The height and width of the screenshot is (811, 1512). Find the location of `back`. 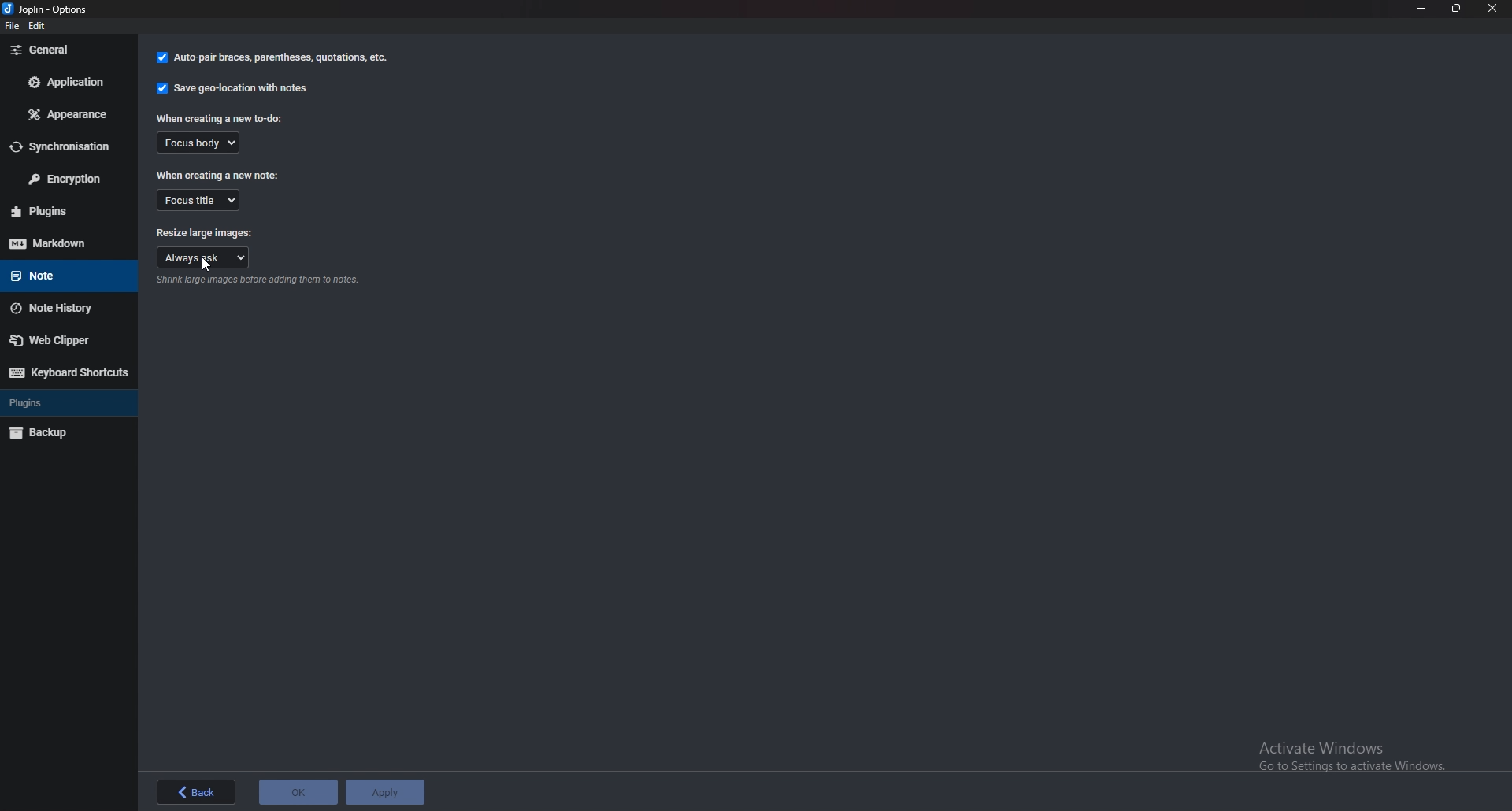

back is located at coordinates (191, 792).